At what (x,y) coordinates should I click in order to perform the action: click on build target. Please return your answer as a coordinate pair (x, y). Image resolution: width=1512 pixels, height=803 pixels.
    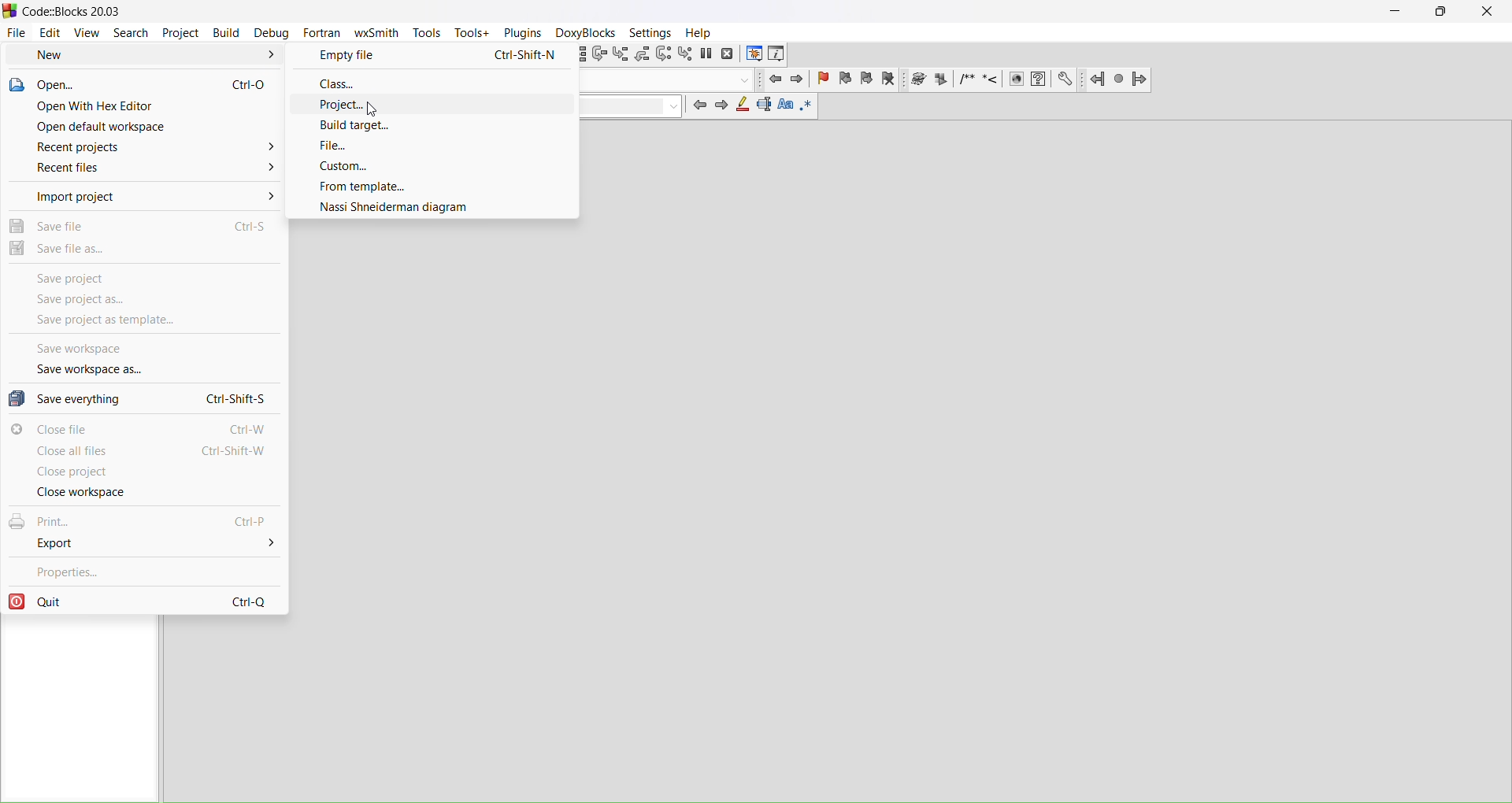
    Looking at the image, I should click on (432, 125).